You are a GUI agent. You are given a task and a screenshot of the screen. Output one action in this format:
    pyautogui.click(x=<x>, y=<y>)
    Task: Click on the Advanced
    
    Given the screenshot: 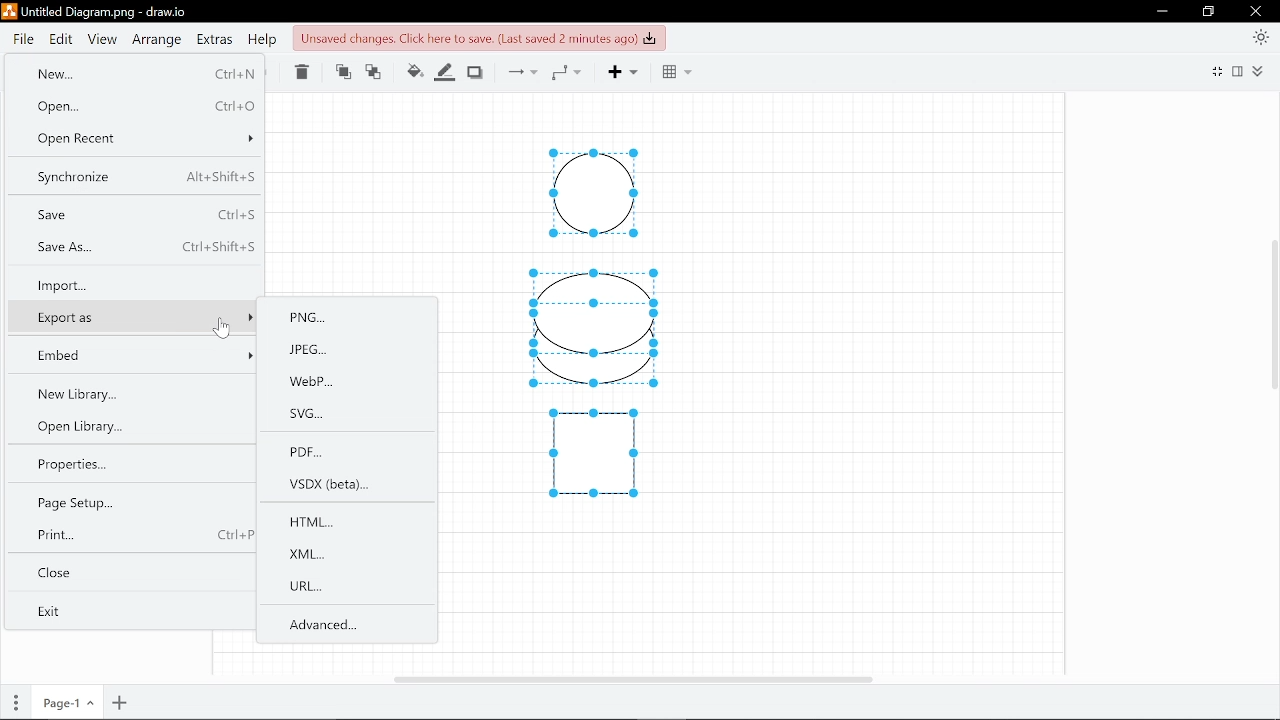 What is the action you would take?
    pyautogui.click(x=334, y=625)
    